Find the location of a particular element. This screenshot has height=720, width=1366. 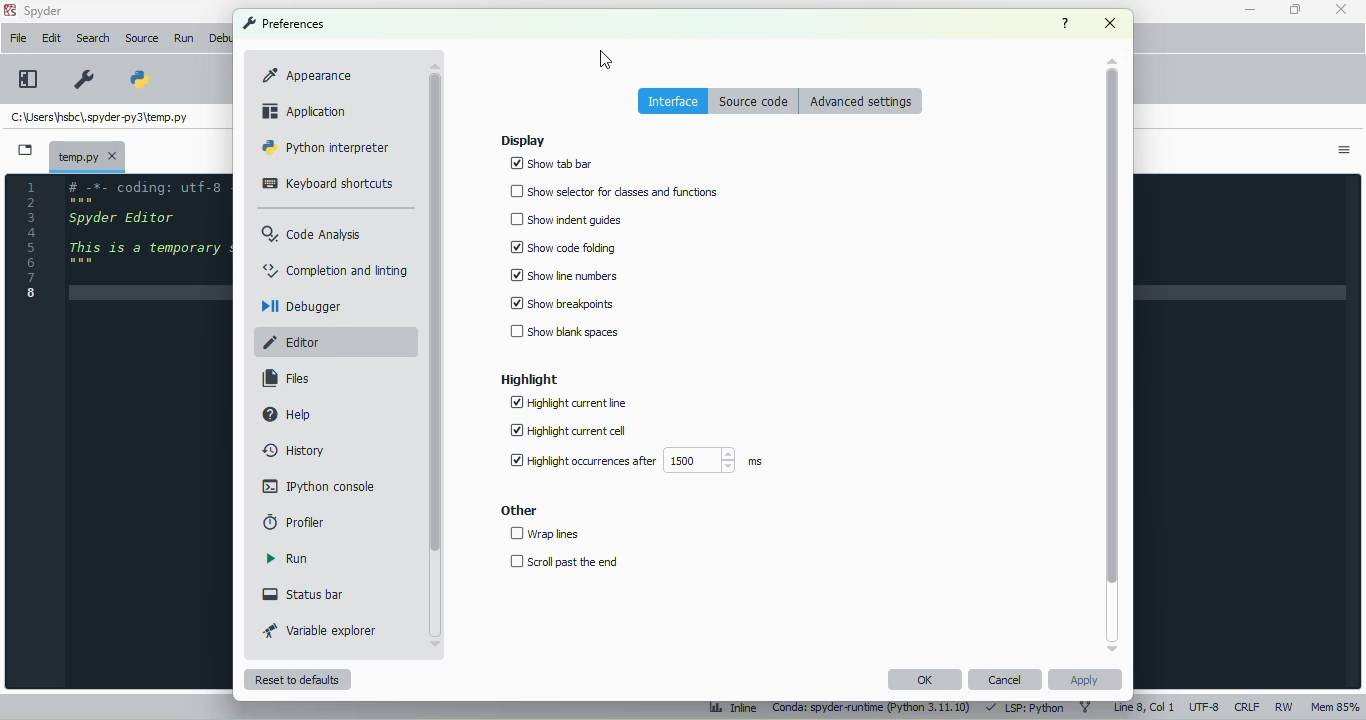

line 8, col 1 is located at coordinates (1144, 707).